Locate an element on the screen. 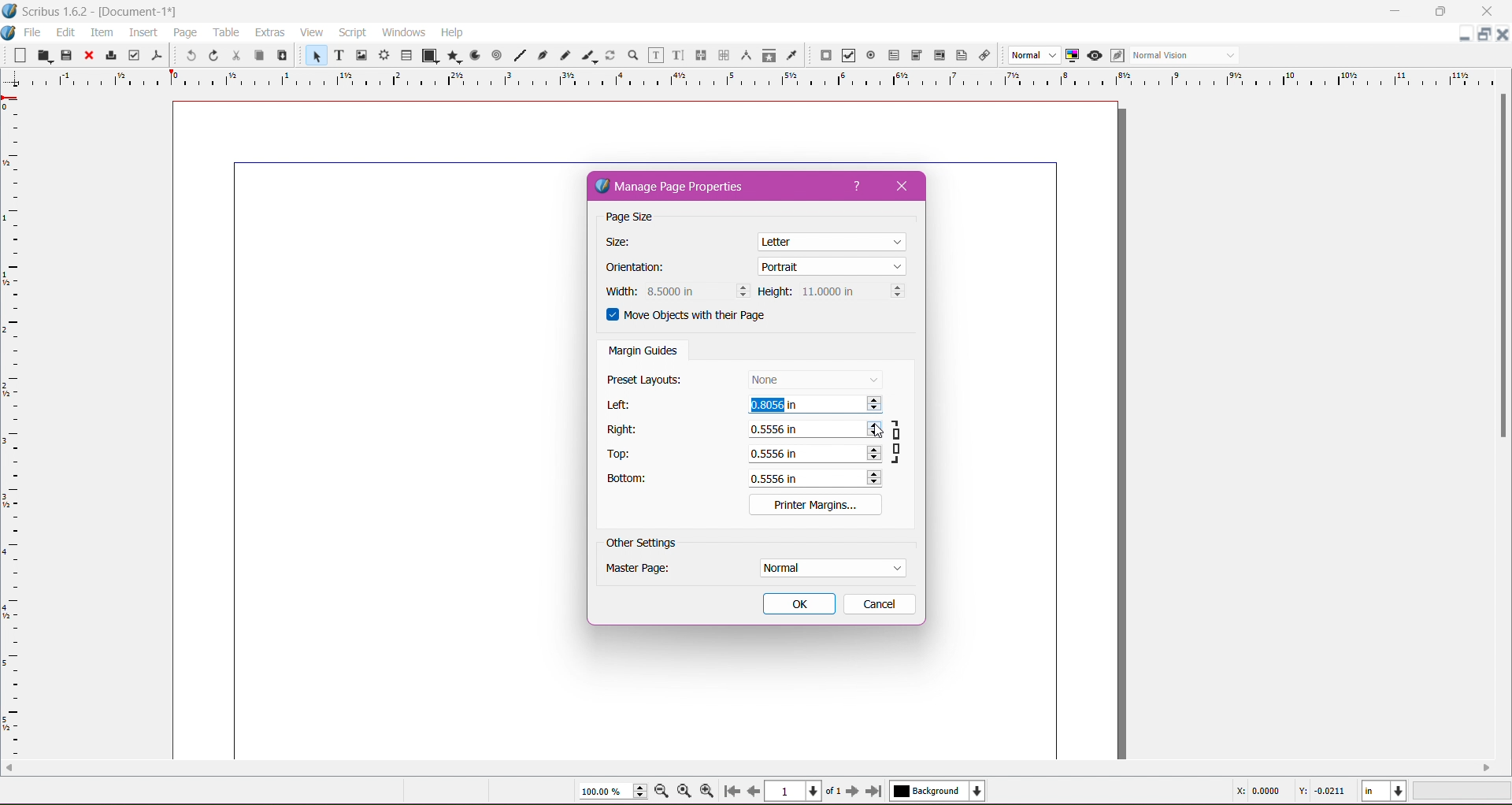 The width and height of the screenshot is (1512, 805). Minimize Document is located at coordinates (1466, 34).